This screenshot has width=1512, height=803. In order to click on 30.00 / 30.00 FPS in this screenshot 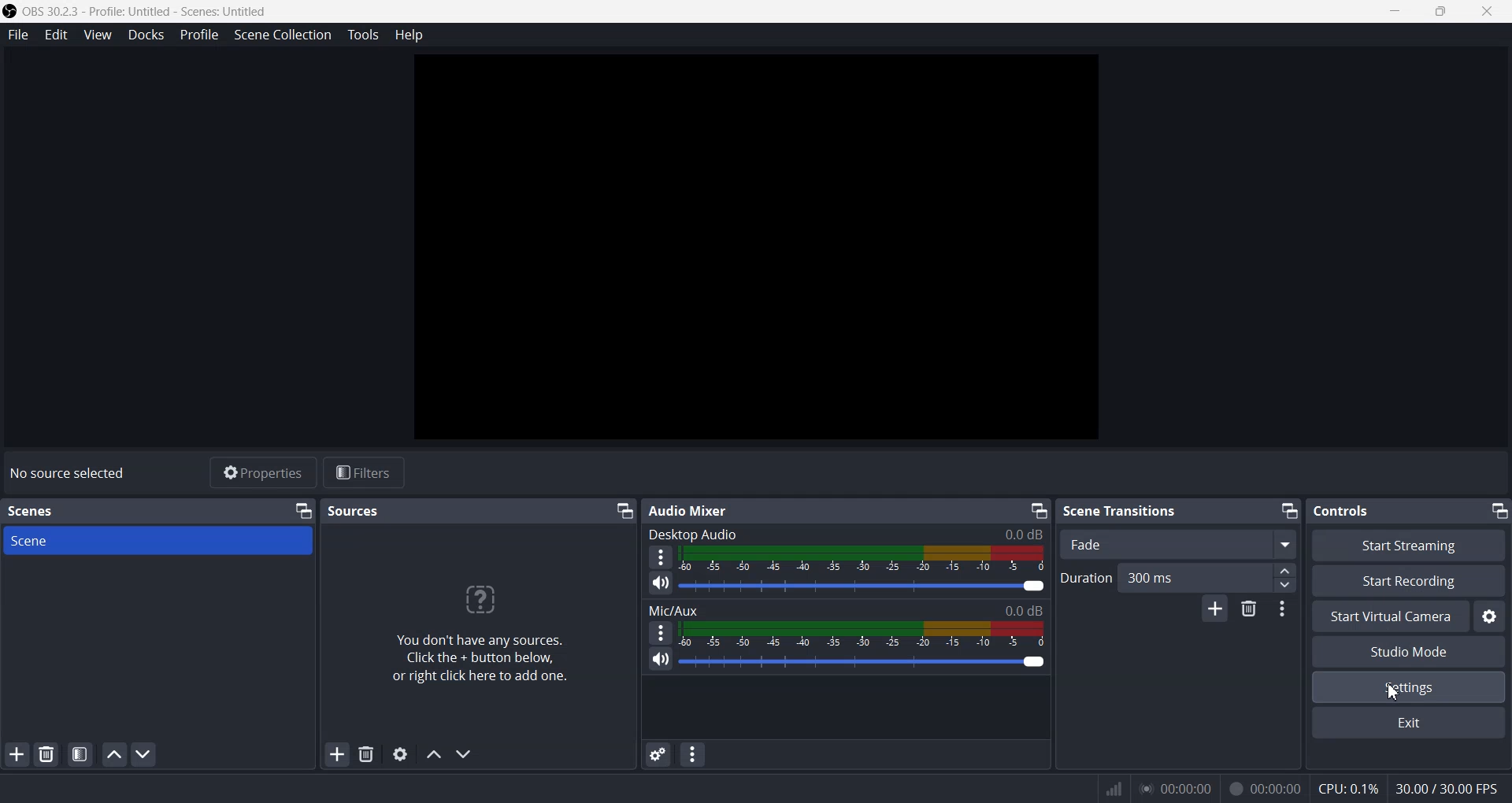, I will do `click(1451, 788)`.